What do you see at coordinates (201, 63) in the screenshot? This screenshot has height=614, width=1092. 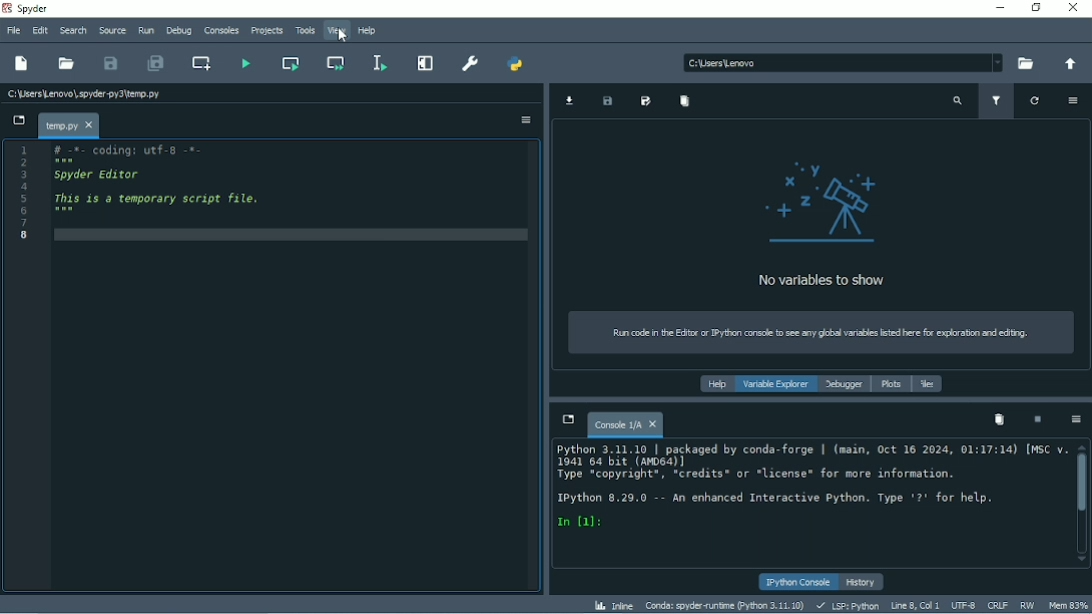 I see `Create new cell at the current line` at bounding box center [201, 63].